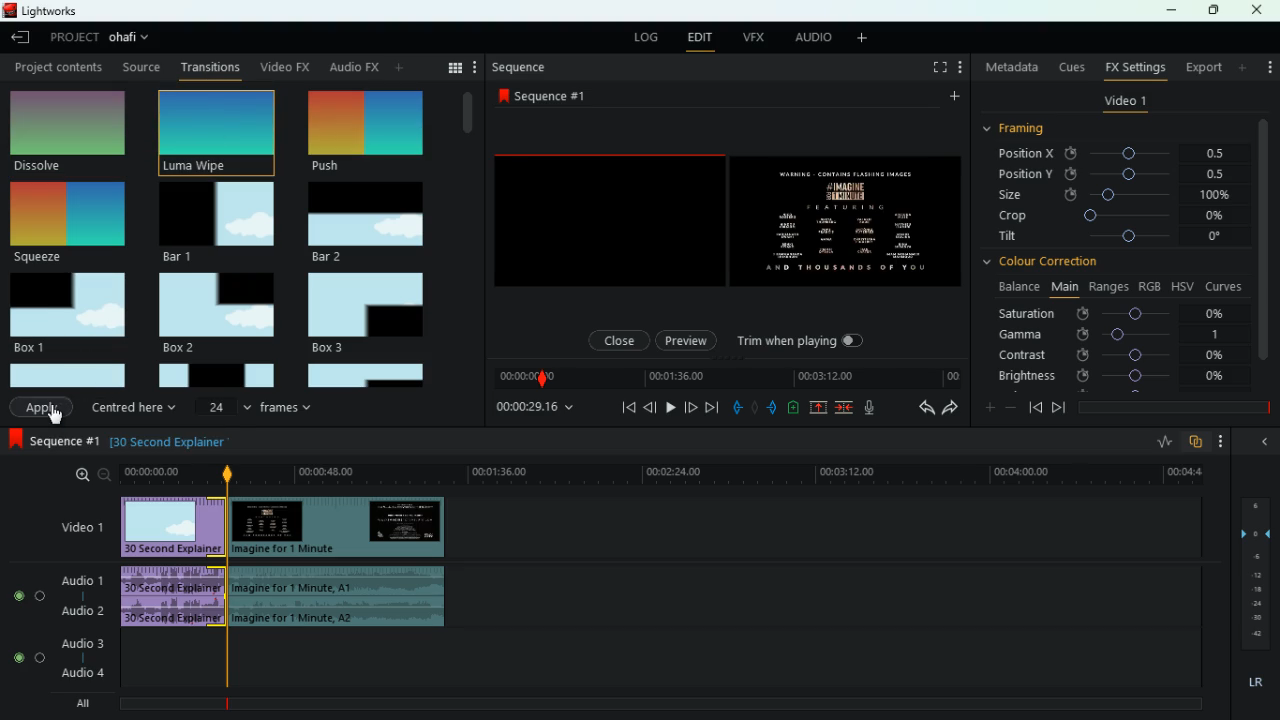 Image resolution: width=1280 pixels, height=720 pixels. What do you see at coordinates (1116, 313) in the screenshot?
I see `saturation` at bounding box center [1116, 313].